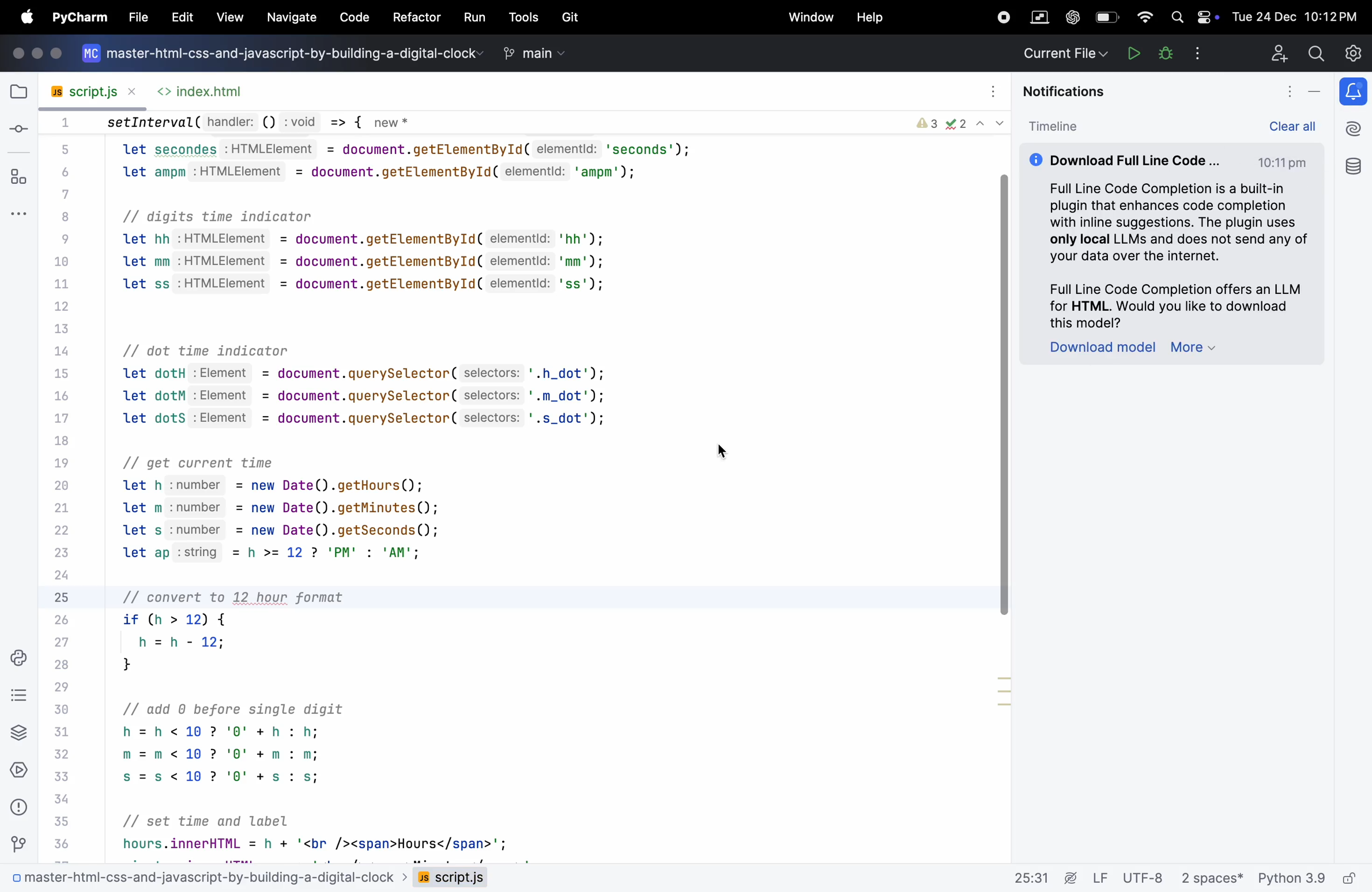 This screenshot has width=1372, height=892. I want to click on chatgpt, so click(1071, 16).